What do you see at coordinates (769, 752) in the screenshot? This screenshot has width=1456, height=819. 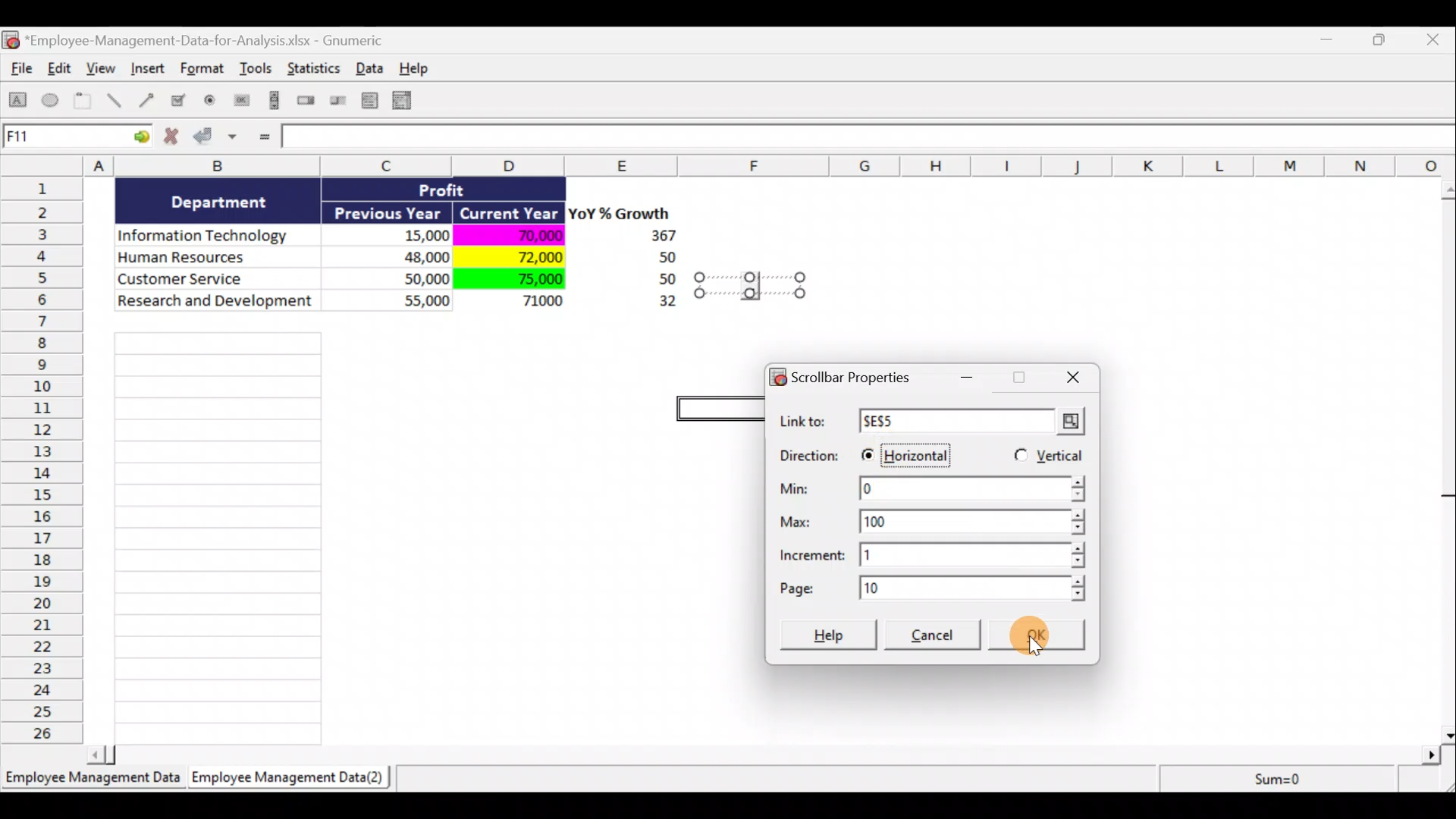 I see `Scroll bar` at bounding box center [769, 752].